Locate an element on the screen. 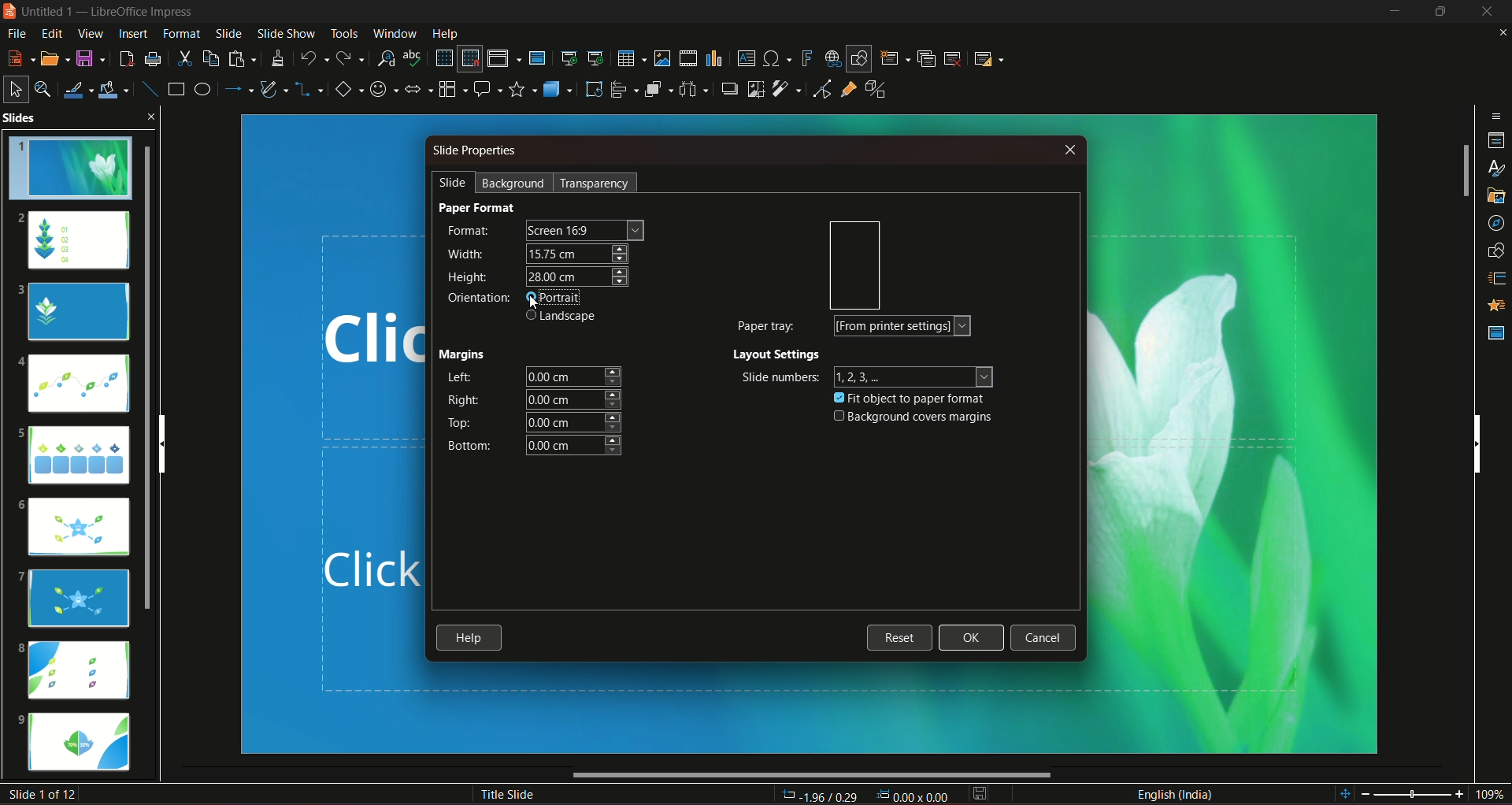 The width and height of the screenshot is (1512, 805). copy  is located at coordinates (209, 57).